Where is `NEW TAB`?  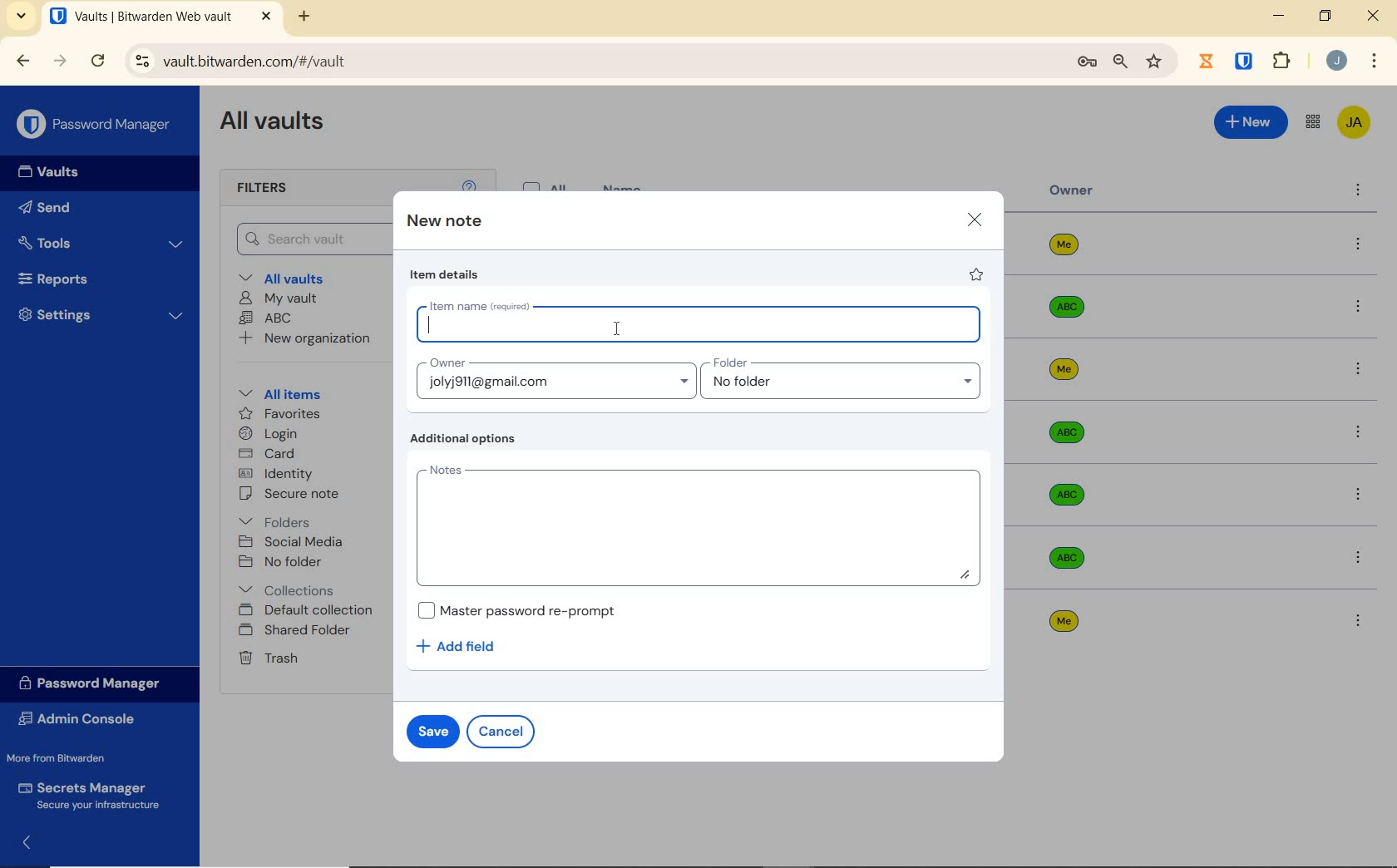 NEW TAB is located at coordinates (306, 17).